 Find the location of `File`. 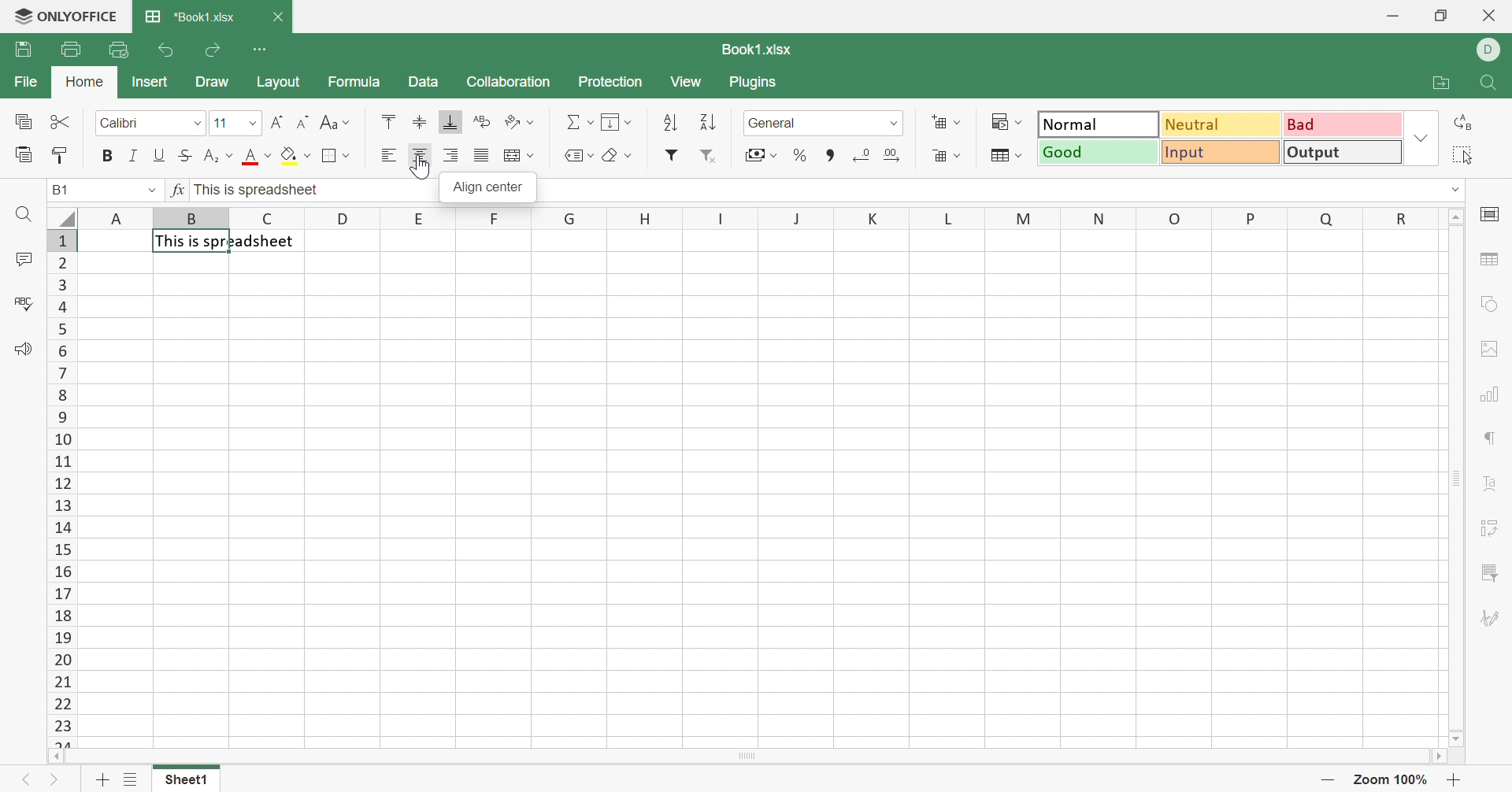

File is located at coordinates (27, 83).